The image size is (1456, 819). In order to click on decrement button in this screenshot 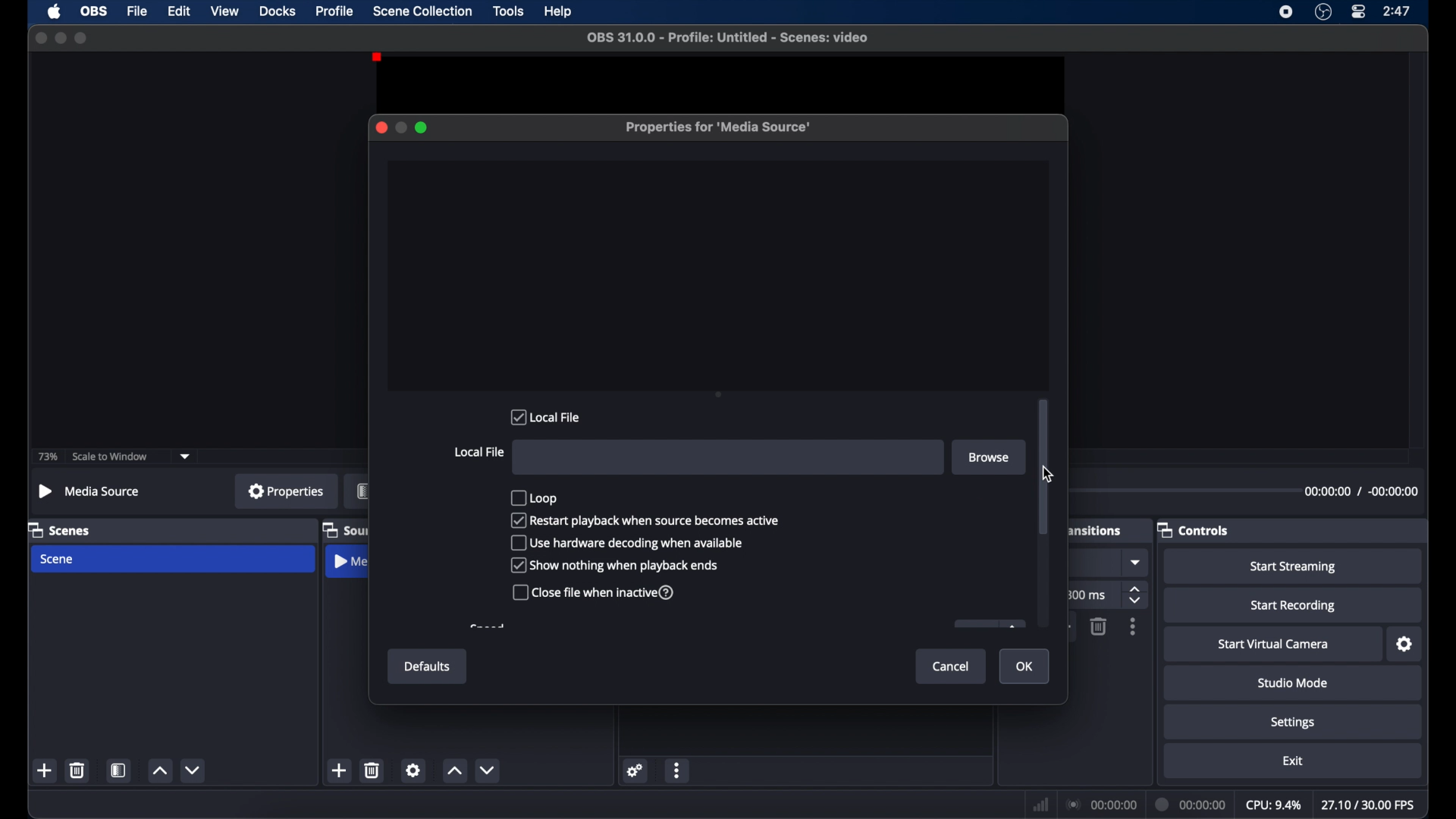, I will do `click(487, 770)`.